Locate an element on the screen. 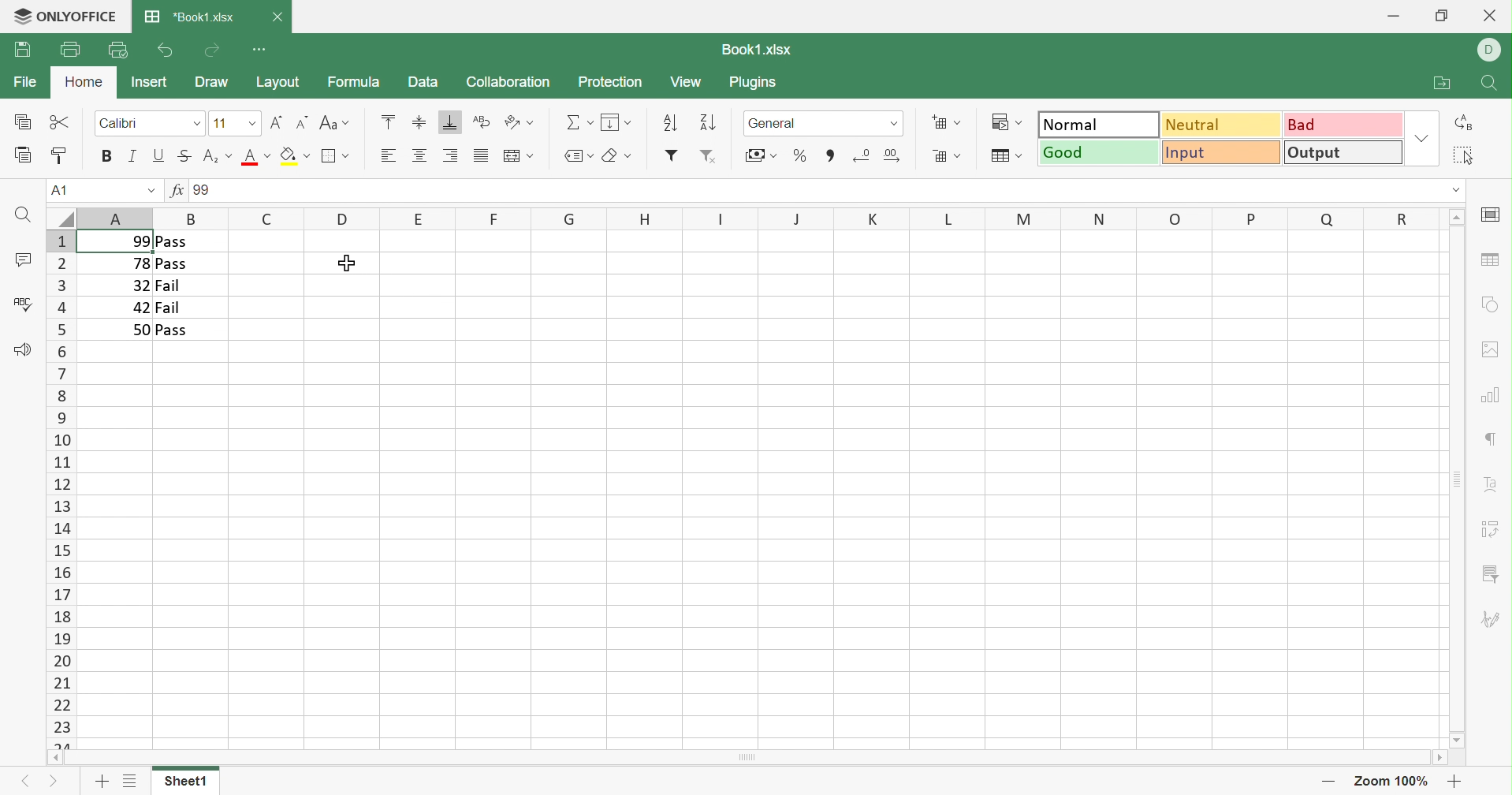 The image size is (1512, 795). Wrap text is located at coordinates (480, 122).